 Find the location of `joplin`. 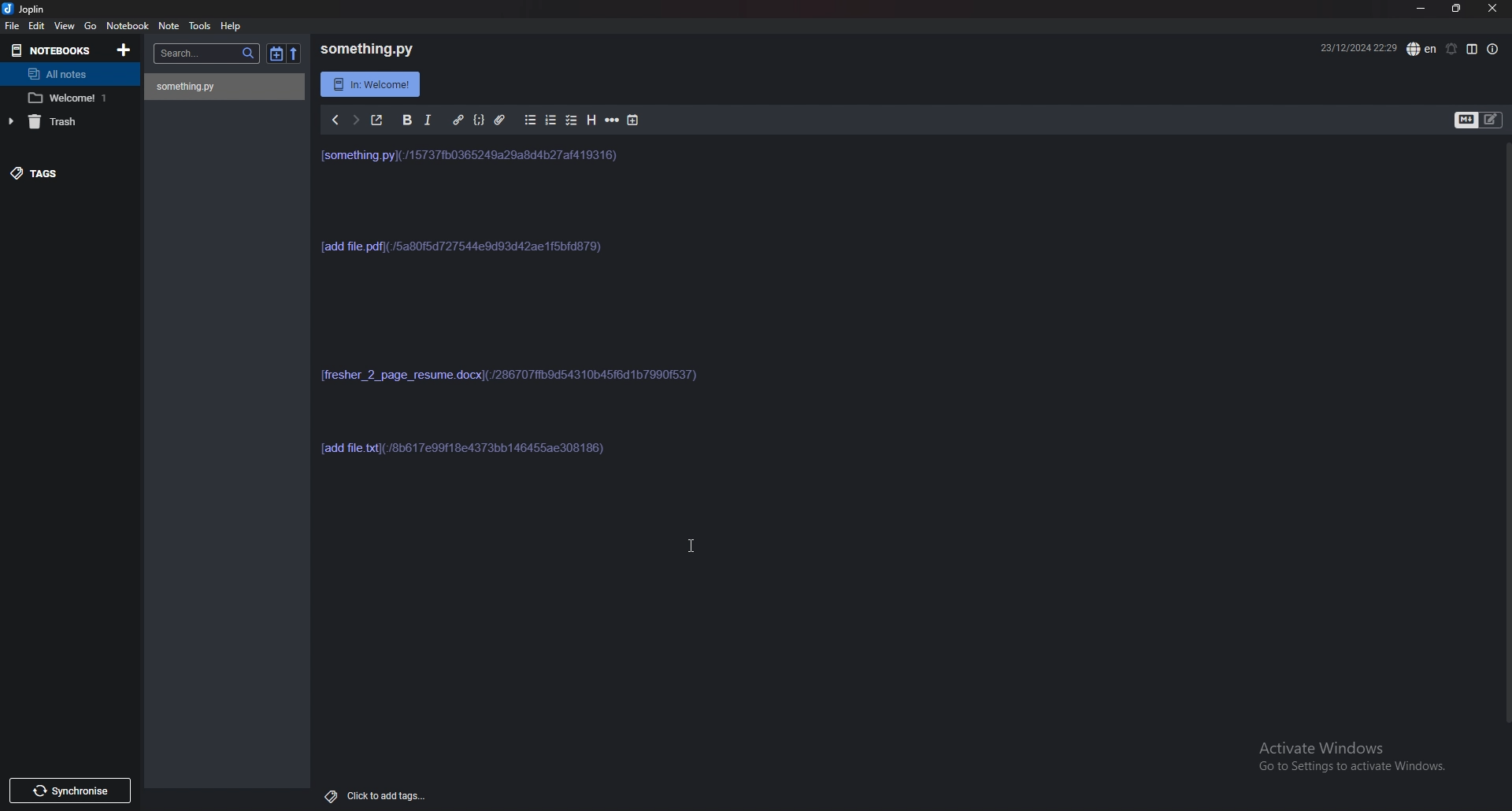

joplin is located at coordinates (25, 8).